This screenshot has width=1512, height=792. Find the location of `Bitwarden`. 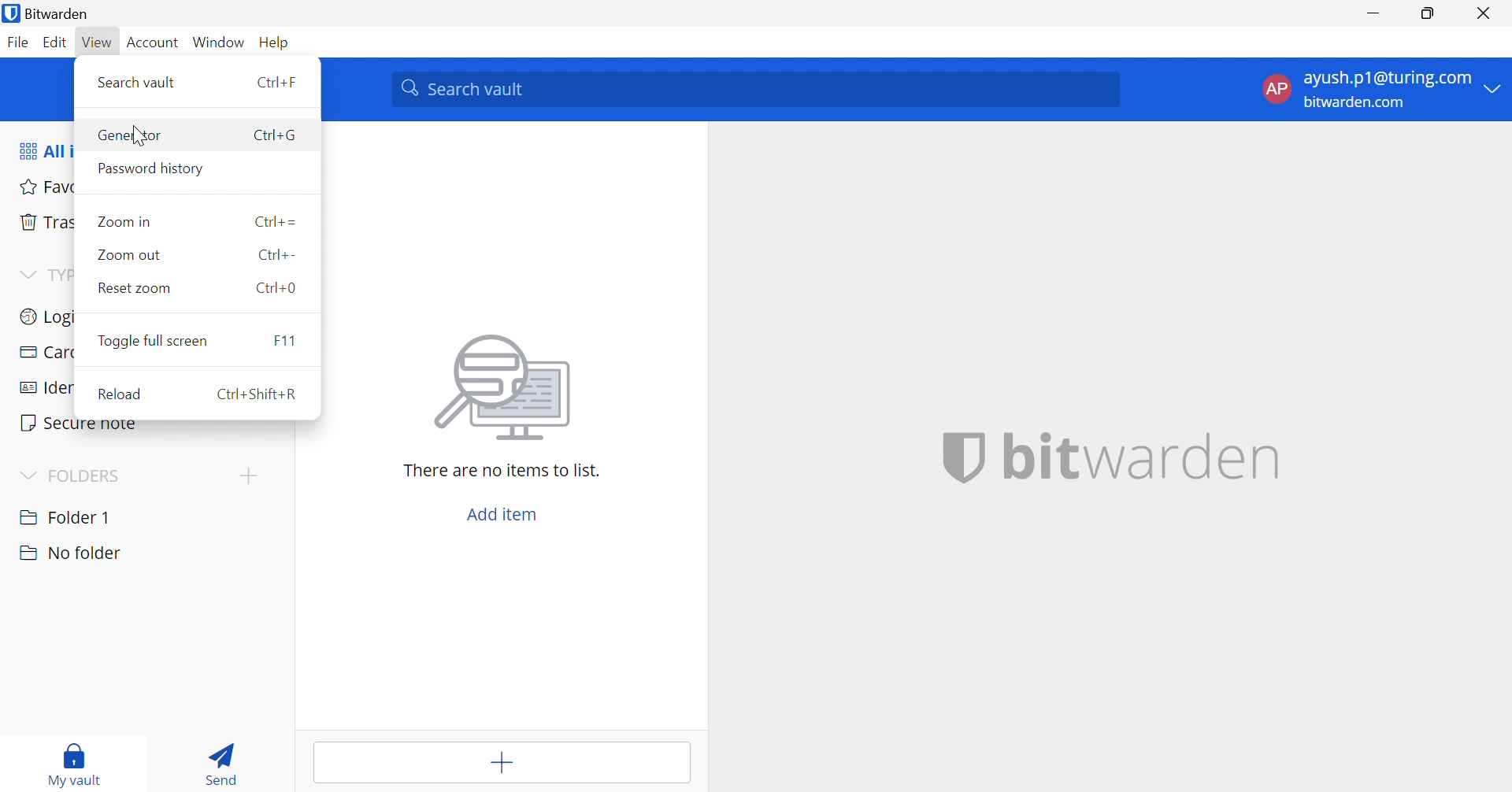

Bitwarden is located at coordinates (50, 13).